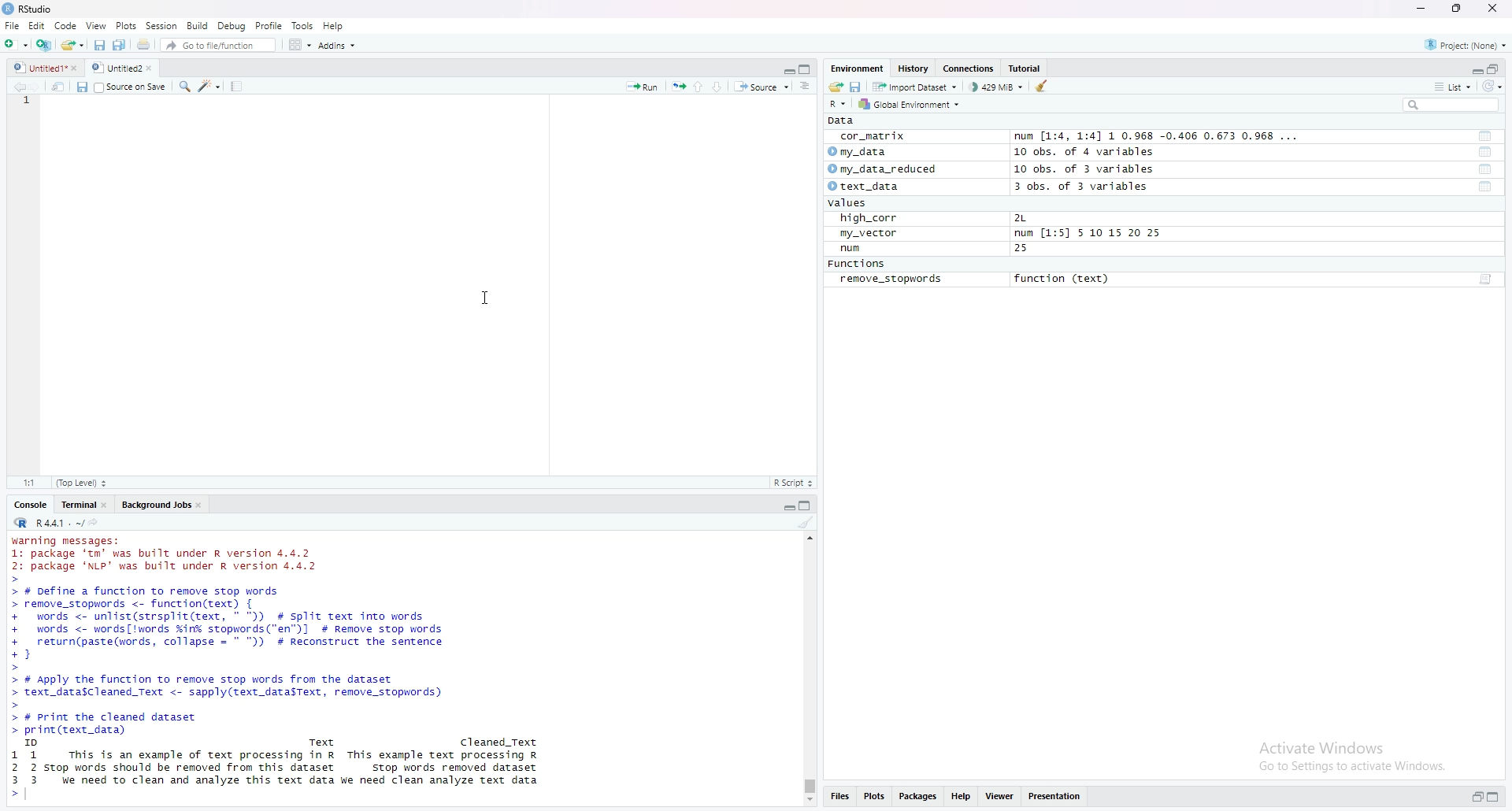  I want to click on Untitled 1*, so click(47, 69).